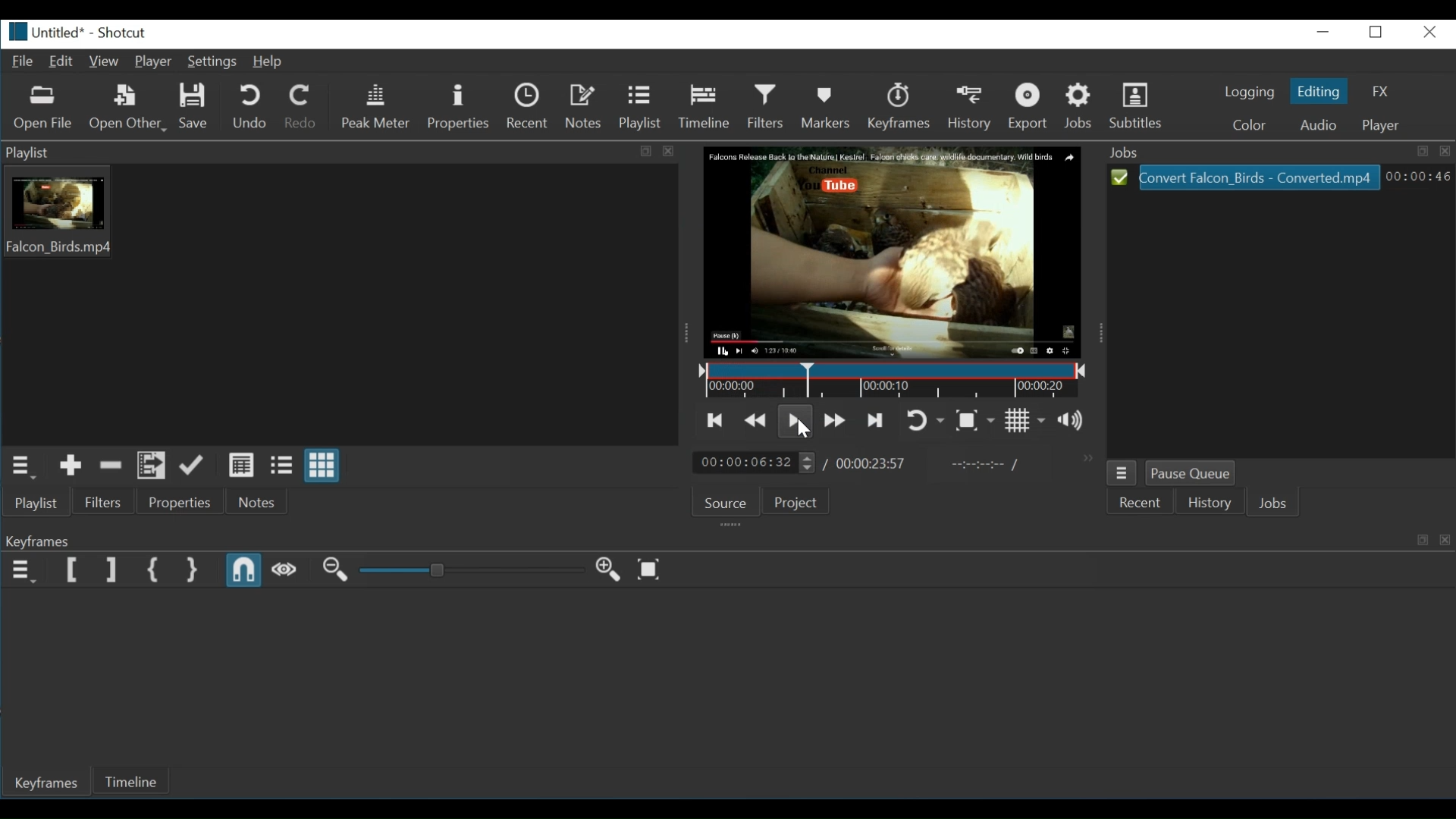  What do you see at coordinates (1072, 420) in the screenshot?
I see `Show the volume control` at bounding box center [1072, 420].